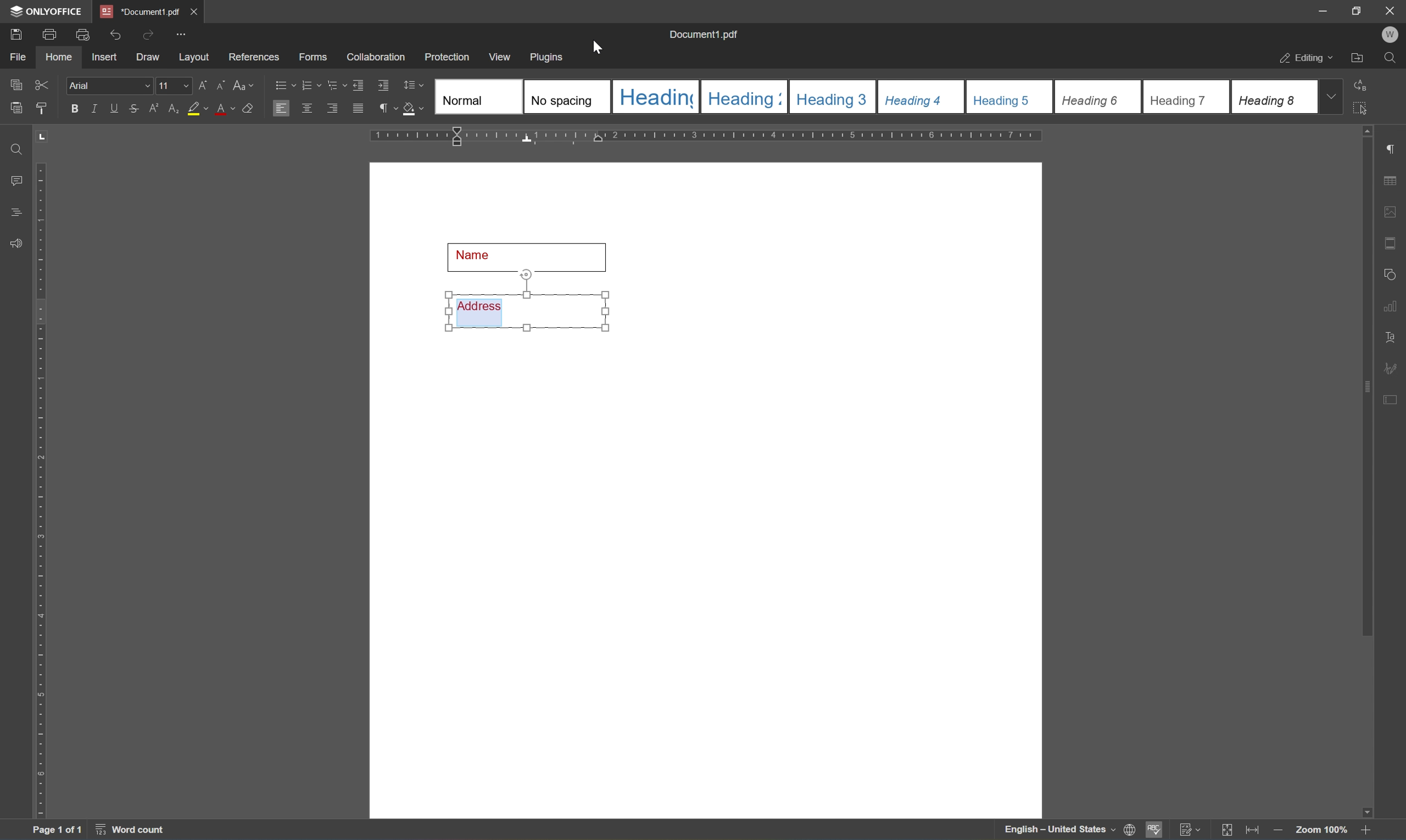 The height and width of the screenshot is (840, 1406). What do you see at coordinates (41, 108) in the screenshot?
I see `copy style` at bounding box center [41, 108].